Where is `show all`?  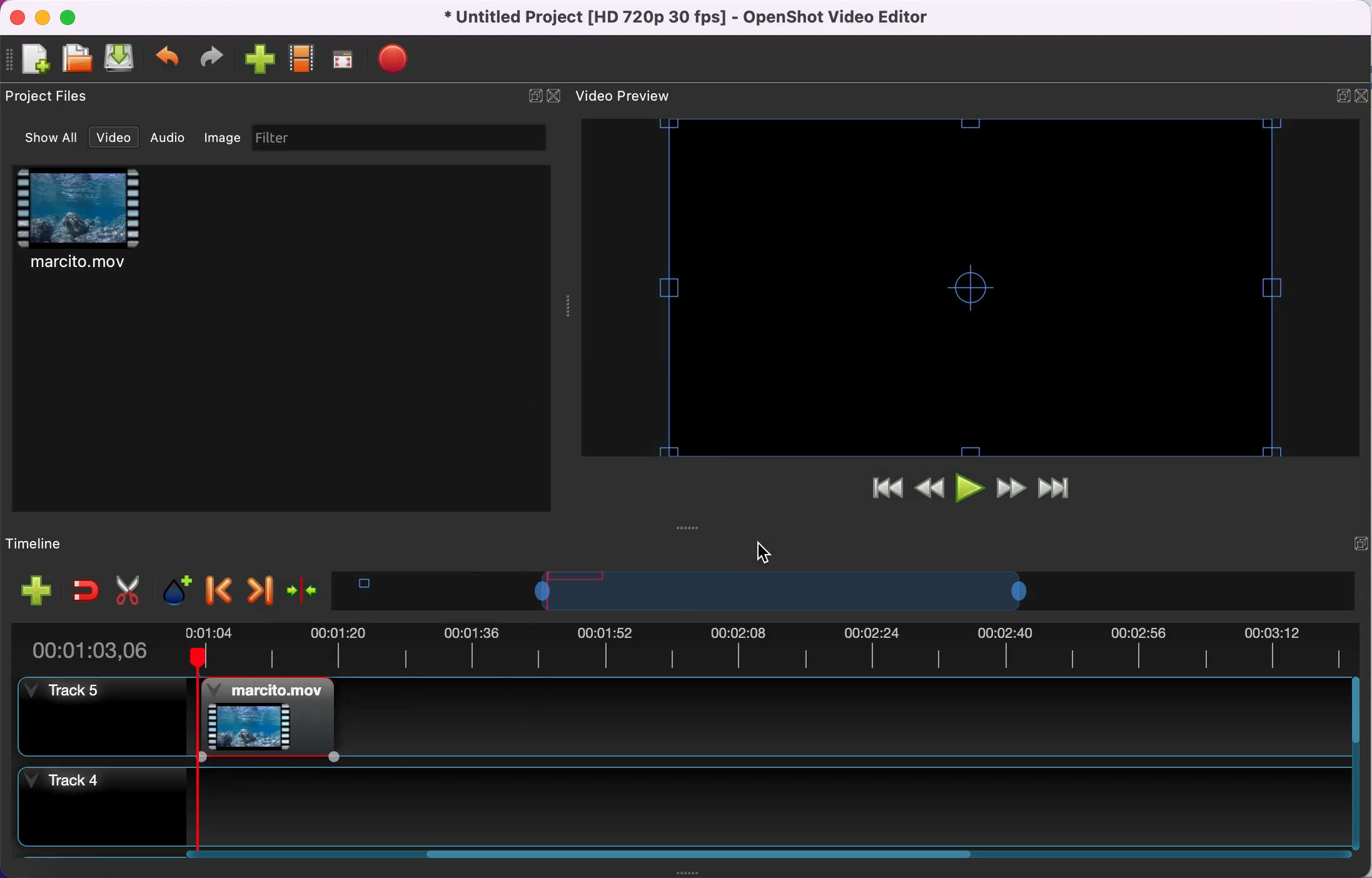 show all is located at coordinates (44, 137).